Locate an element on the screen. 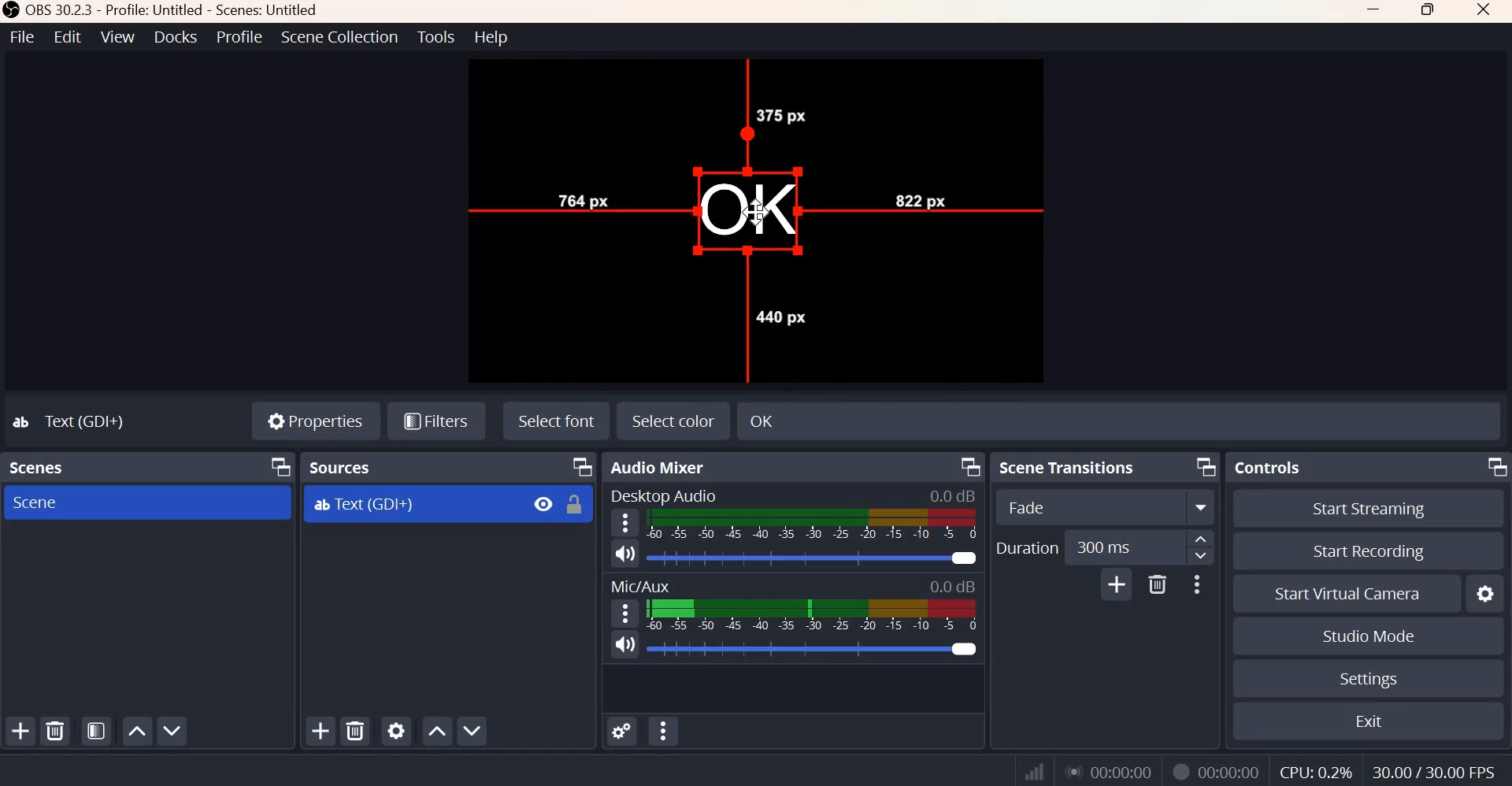 This screenshot has width=1512, height=786. increase duration is located at coordinates (1201, 538).